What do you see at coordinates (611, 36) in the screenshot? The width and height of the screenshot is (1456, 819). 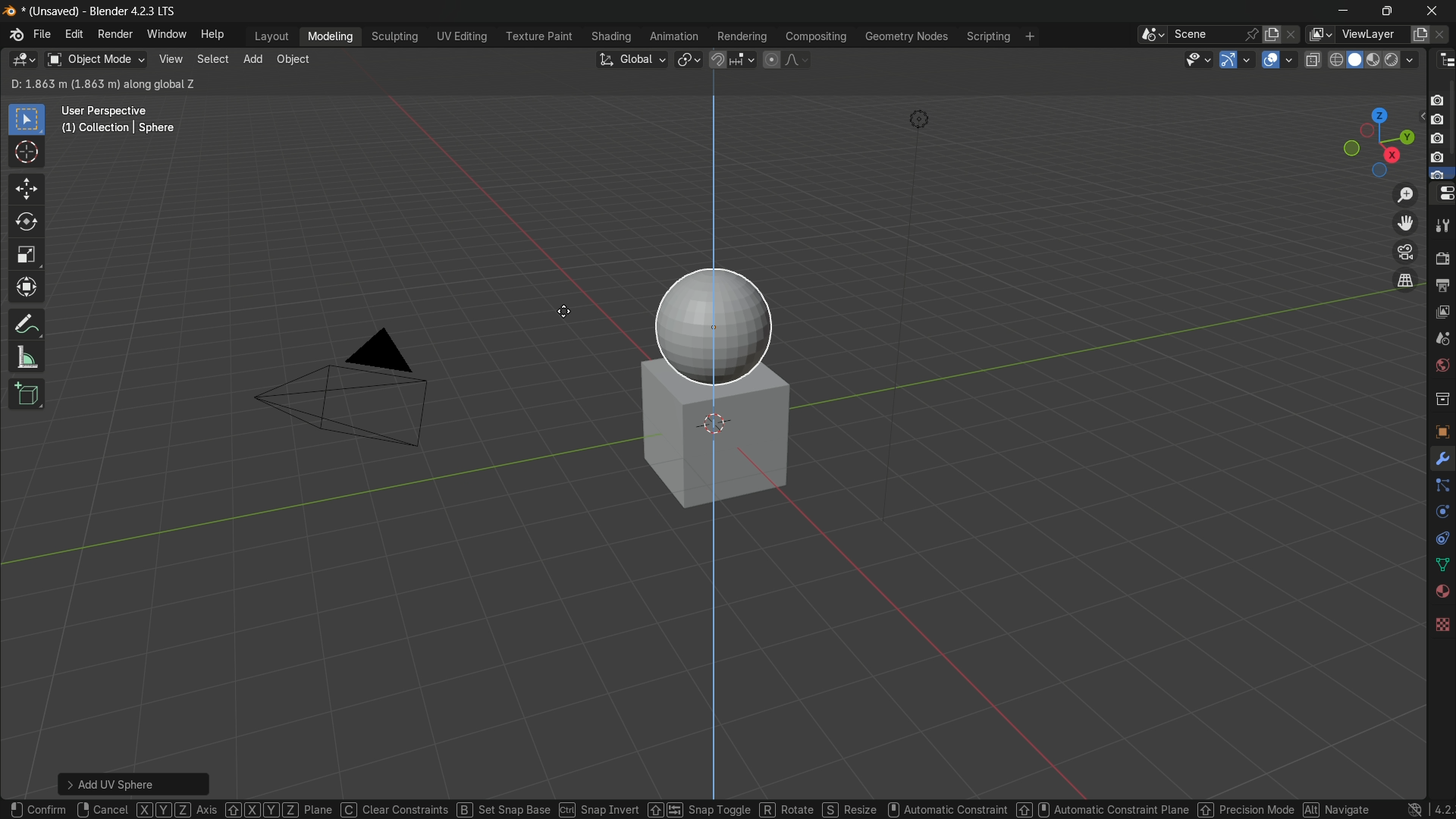 I see `shading menu` at bounding box center [611, 36].